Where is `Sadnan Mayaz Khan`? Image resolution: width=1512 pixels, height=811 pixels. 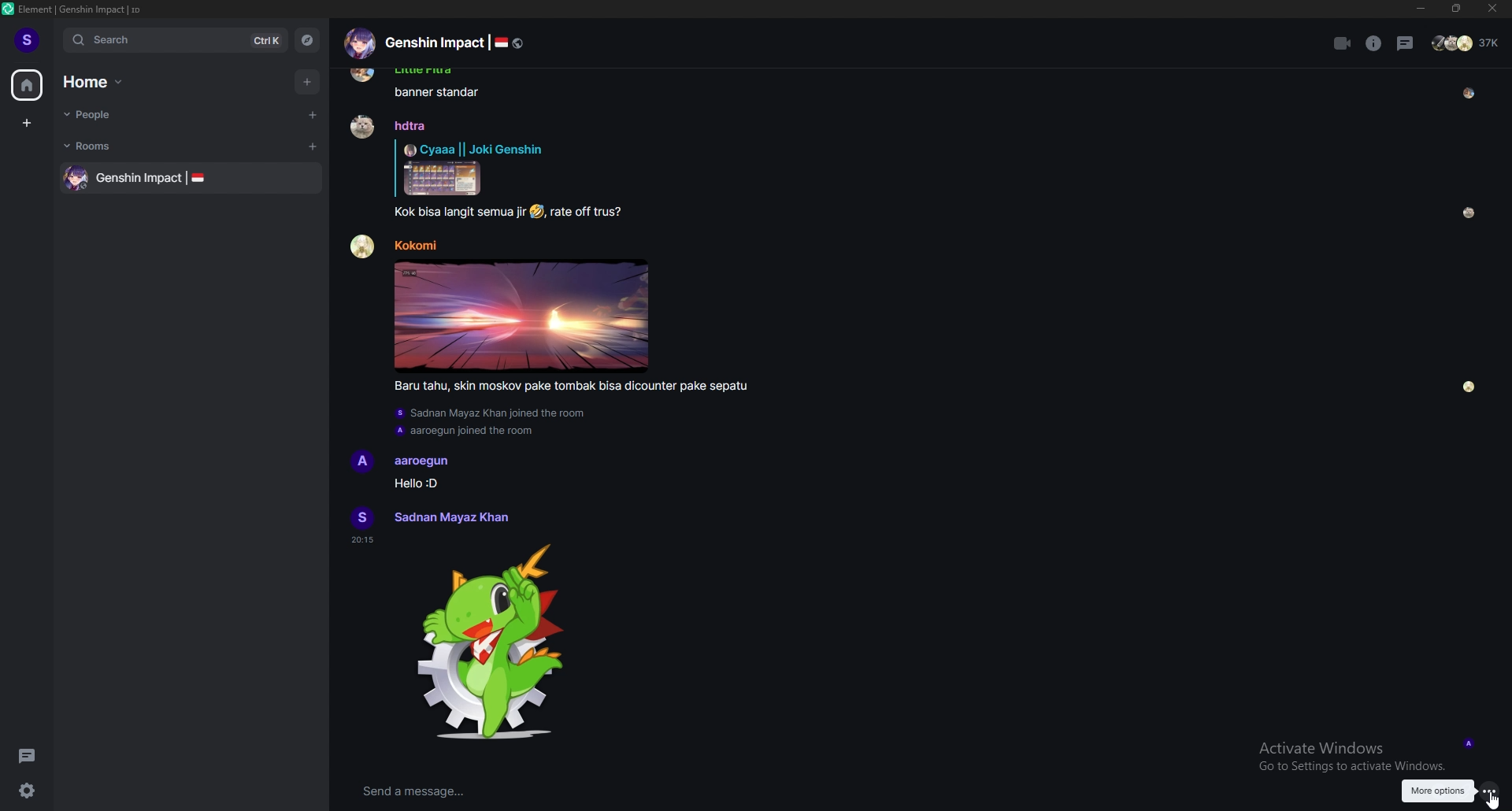 Sadnan Mayaz Khan is located at coordinates (450, 517).